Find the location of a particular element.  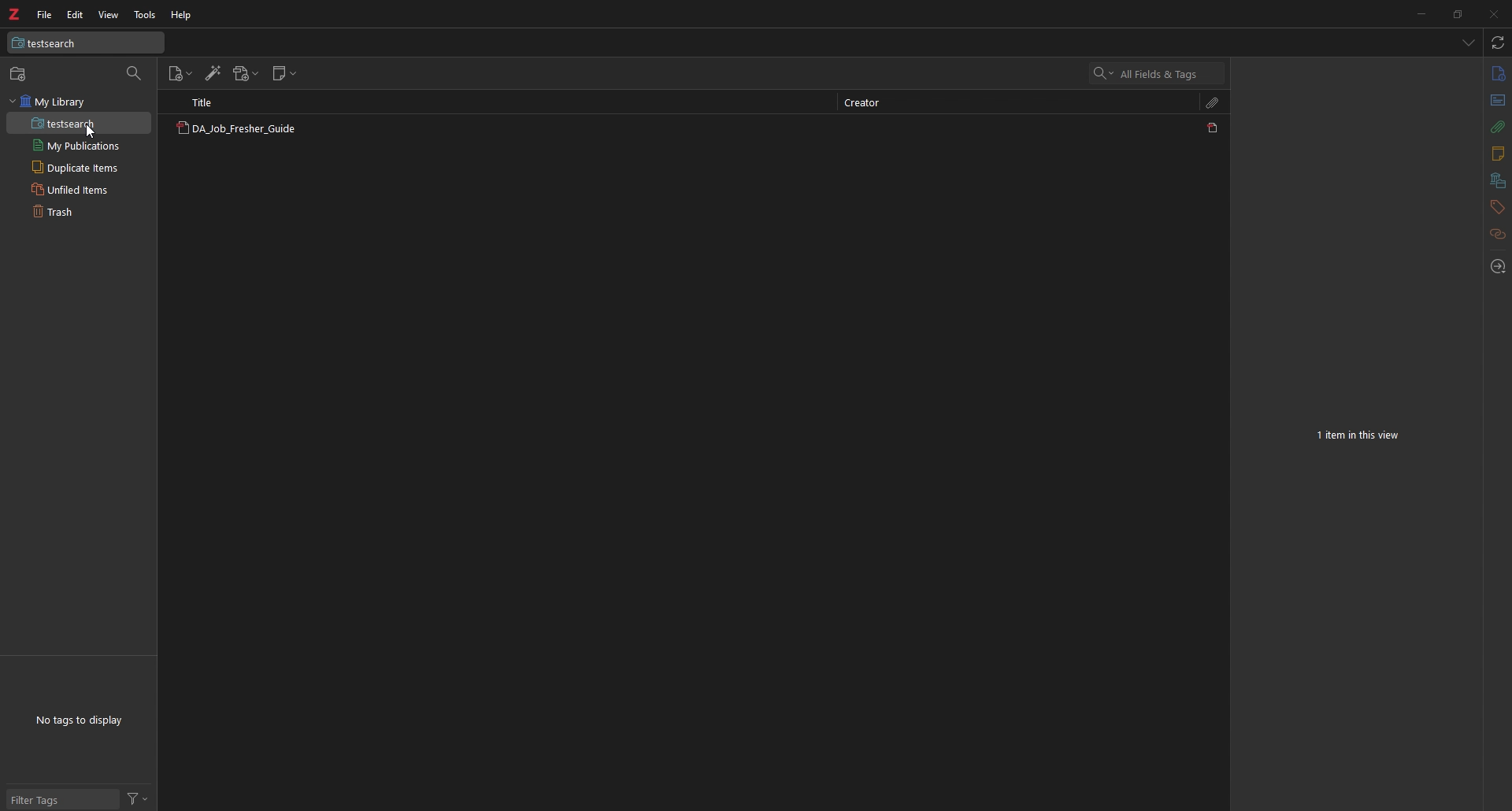

note is located at coordinates (1496, 154).